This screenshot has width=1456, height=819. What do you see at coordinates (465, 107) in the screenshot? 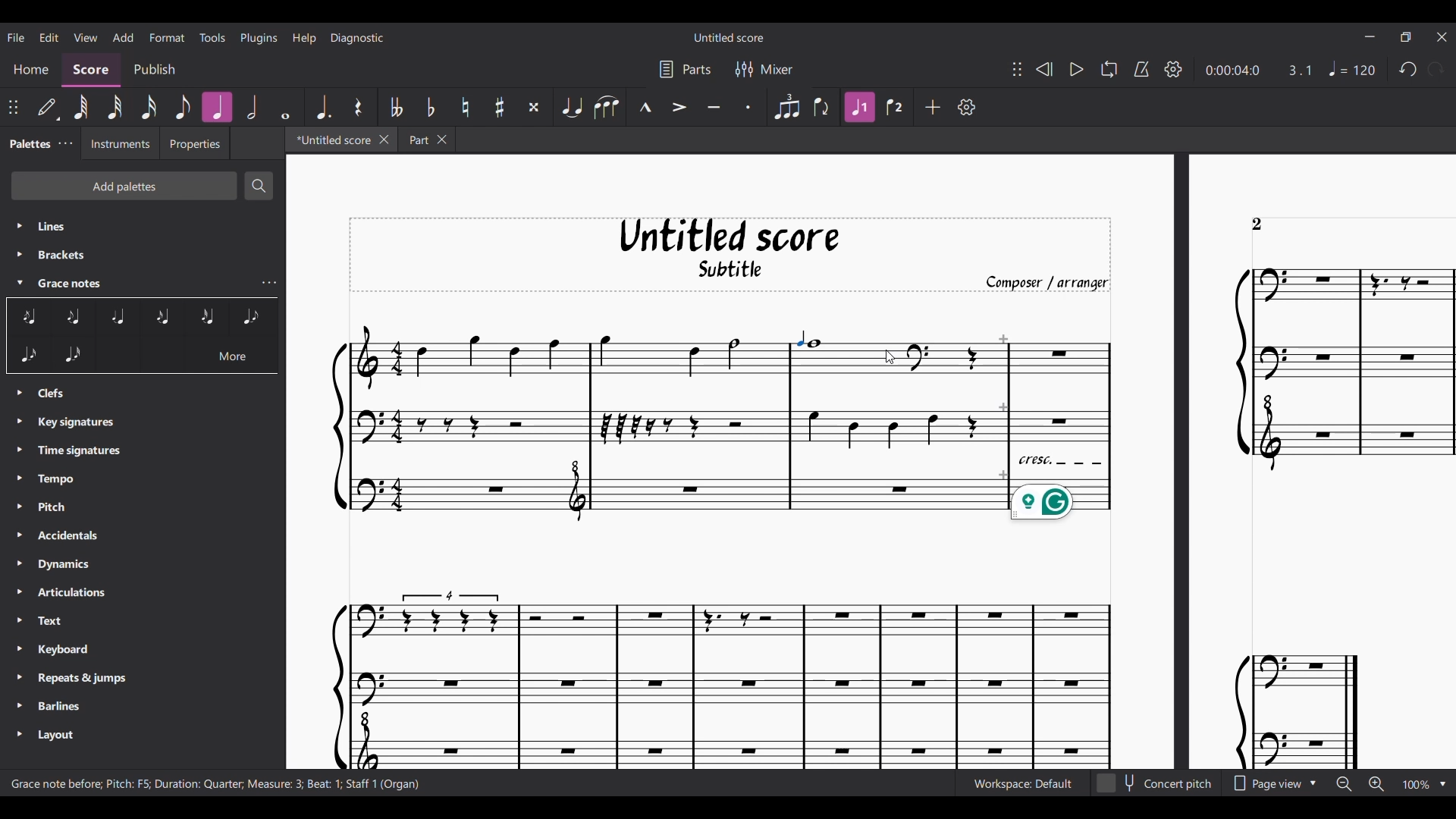
I see `Toggle natural` at bounding box center [465, 107].